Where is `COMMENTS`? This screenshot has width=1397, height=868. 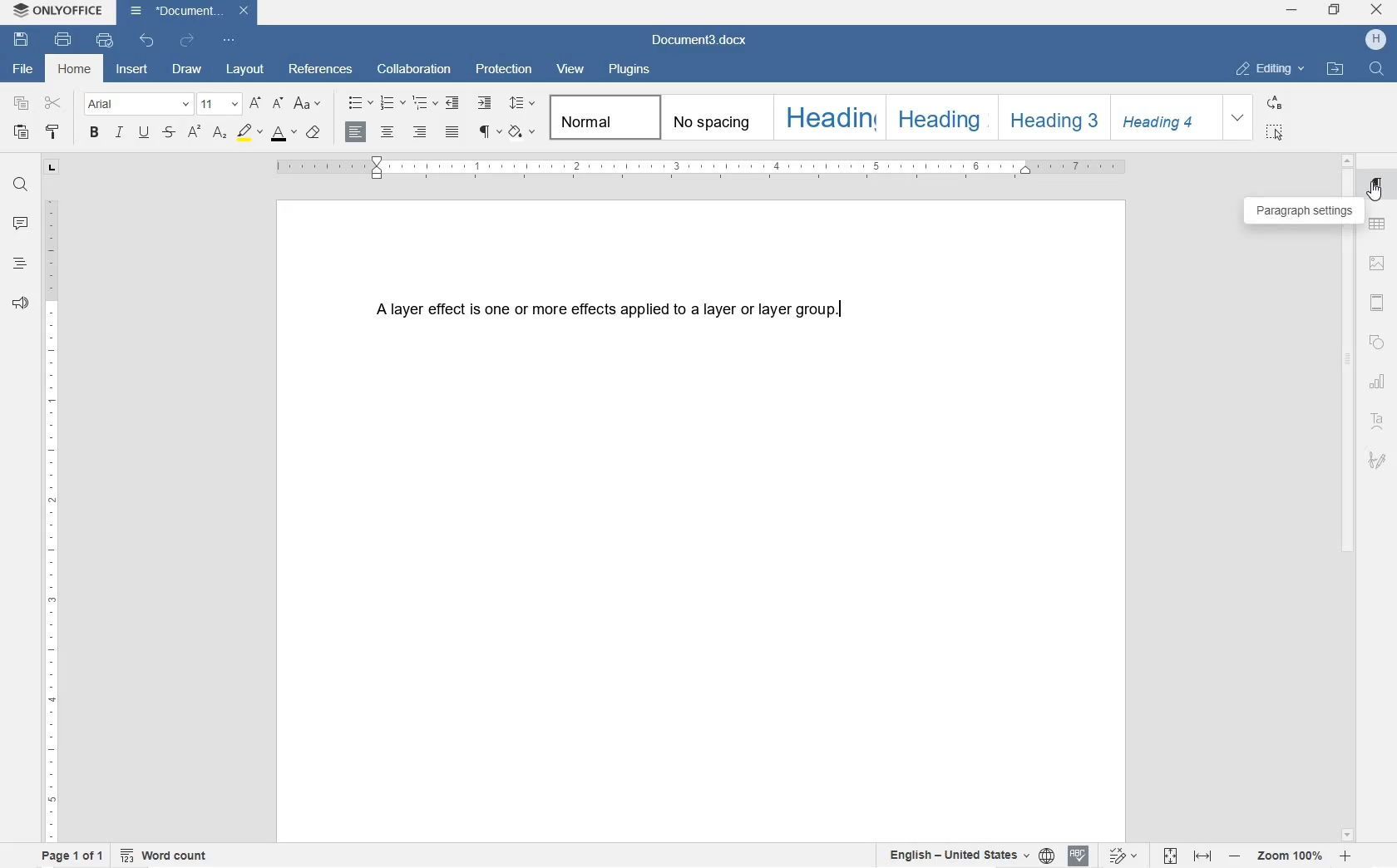
COMMENTS is located at coordinates (18, 224).